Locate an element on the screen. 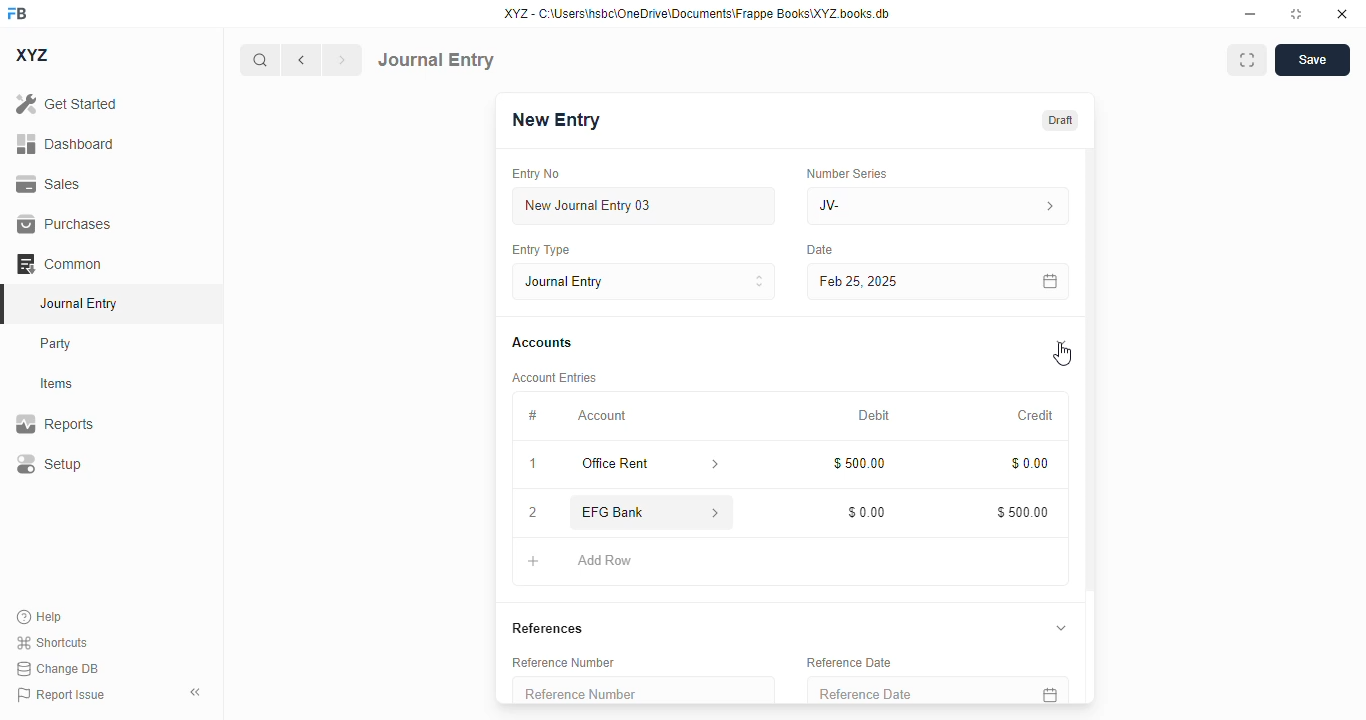  add row is located at coordinates (607, 561).